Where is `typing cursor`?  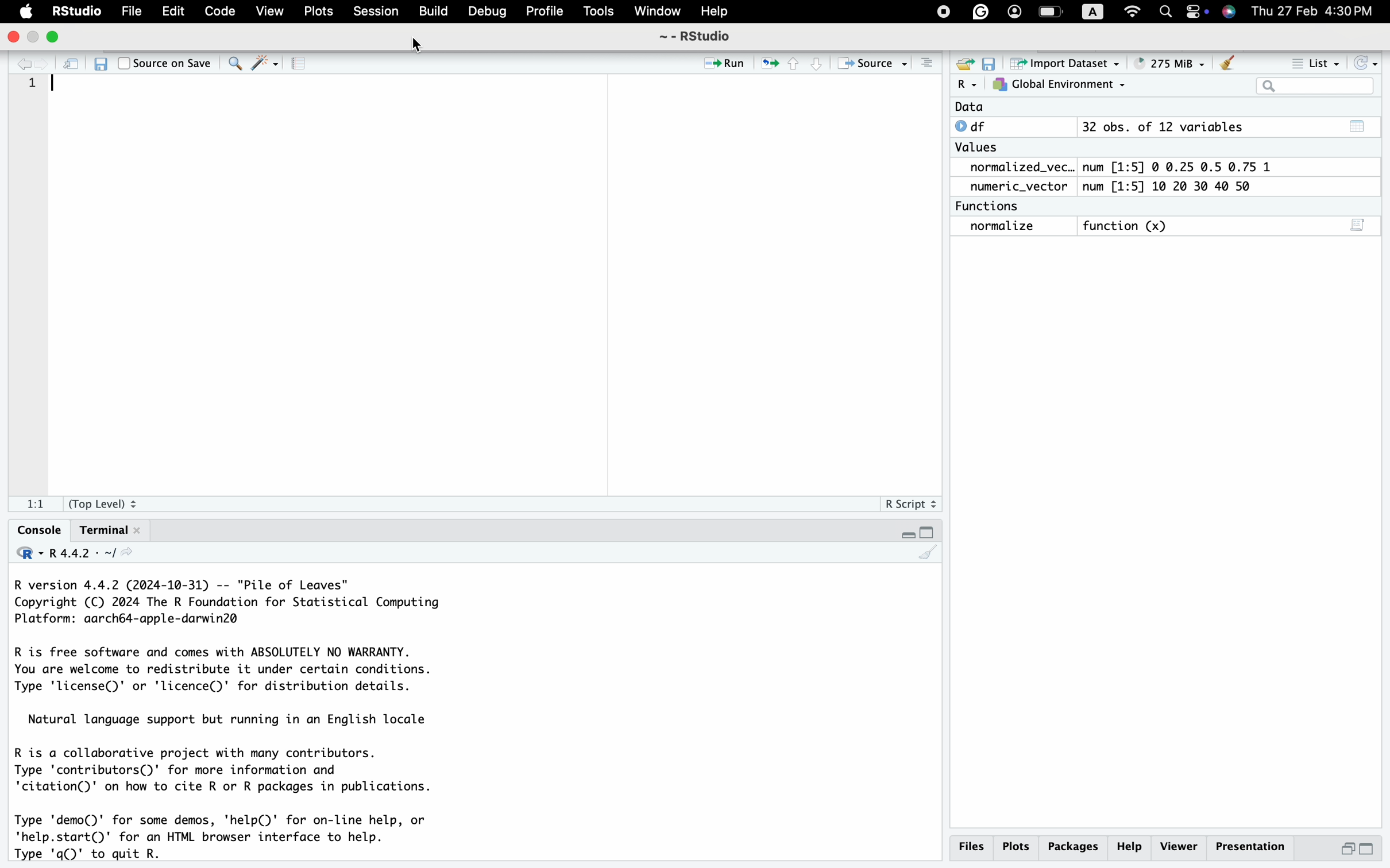
typing cursor is located at coordinates (59, 87).